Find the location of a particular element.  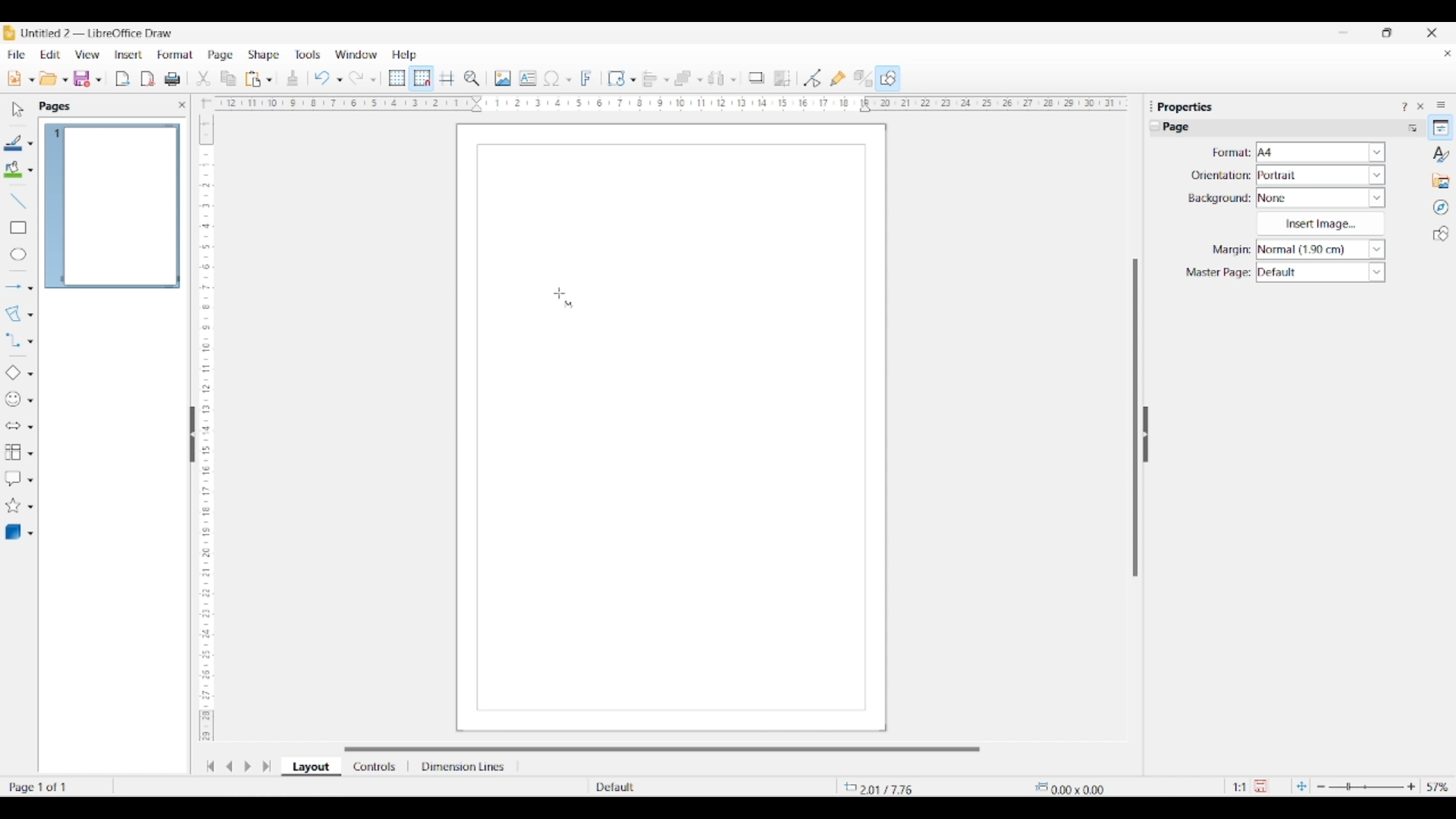

Master page options is located at coordinates (1320, 272).